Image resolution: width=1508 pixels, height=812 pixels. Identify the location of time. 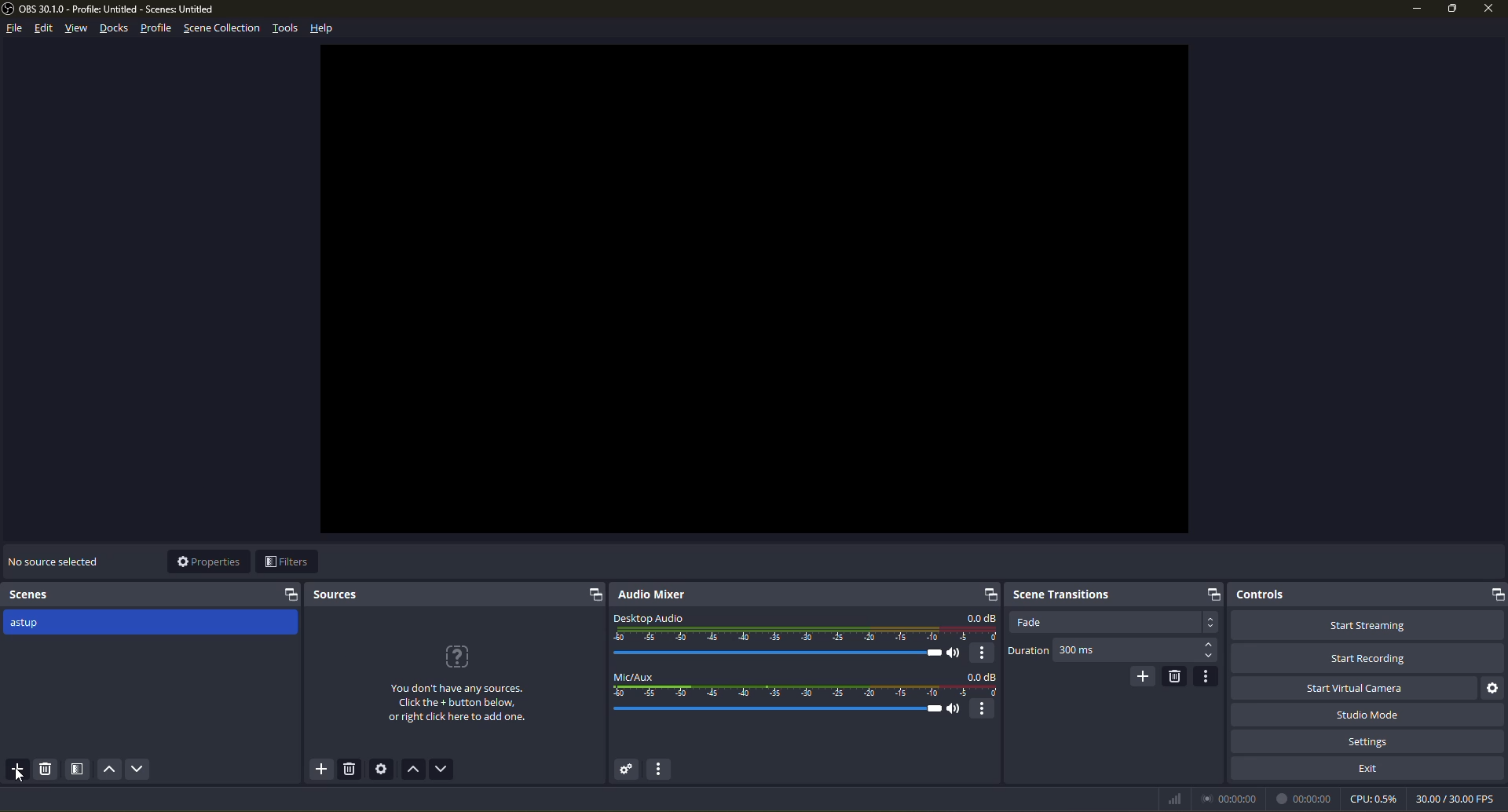
(1228, 798).